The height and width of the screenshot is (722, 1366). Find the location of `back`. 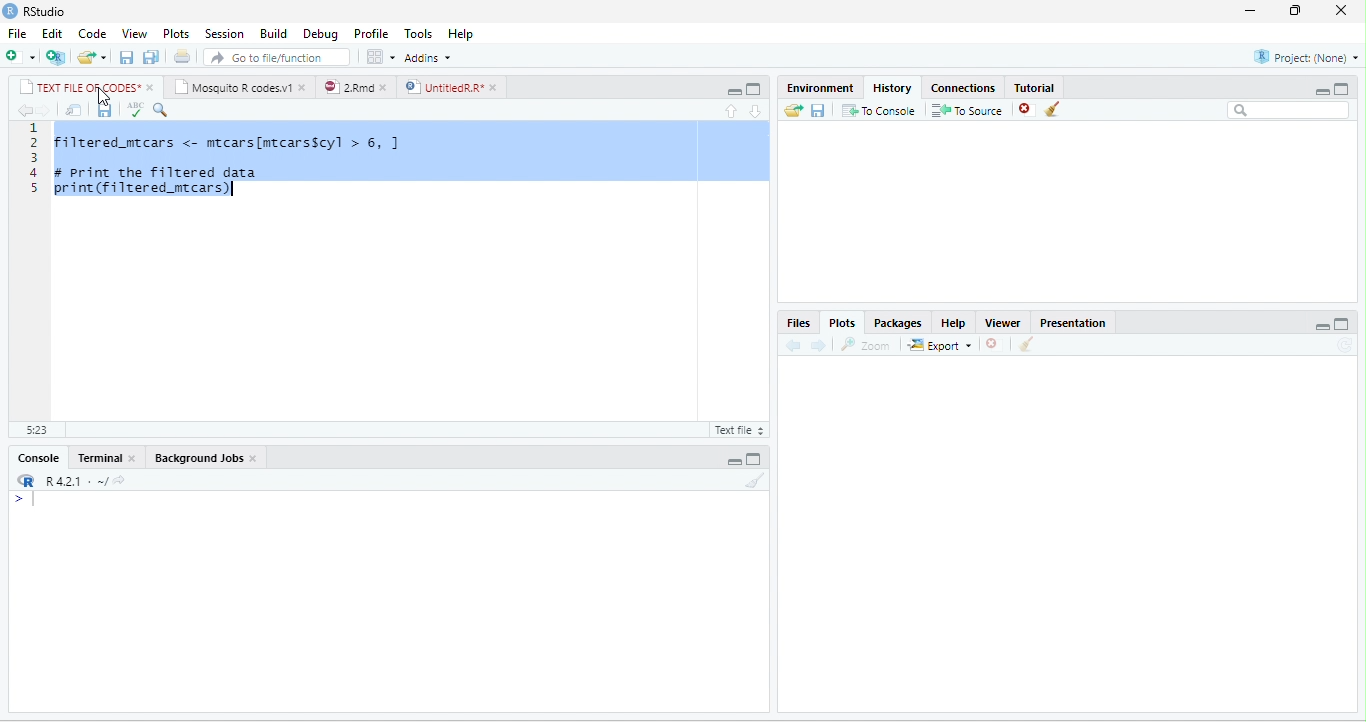

back is located at coordinates (26, 110).